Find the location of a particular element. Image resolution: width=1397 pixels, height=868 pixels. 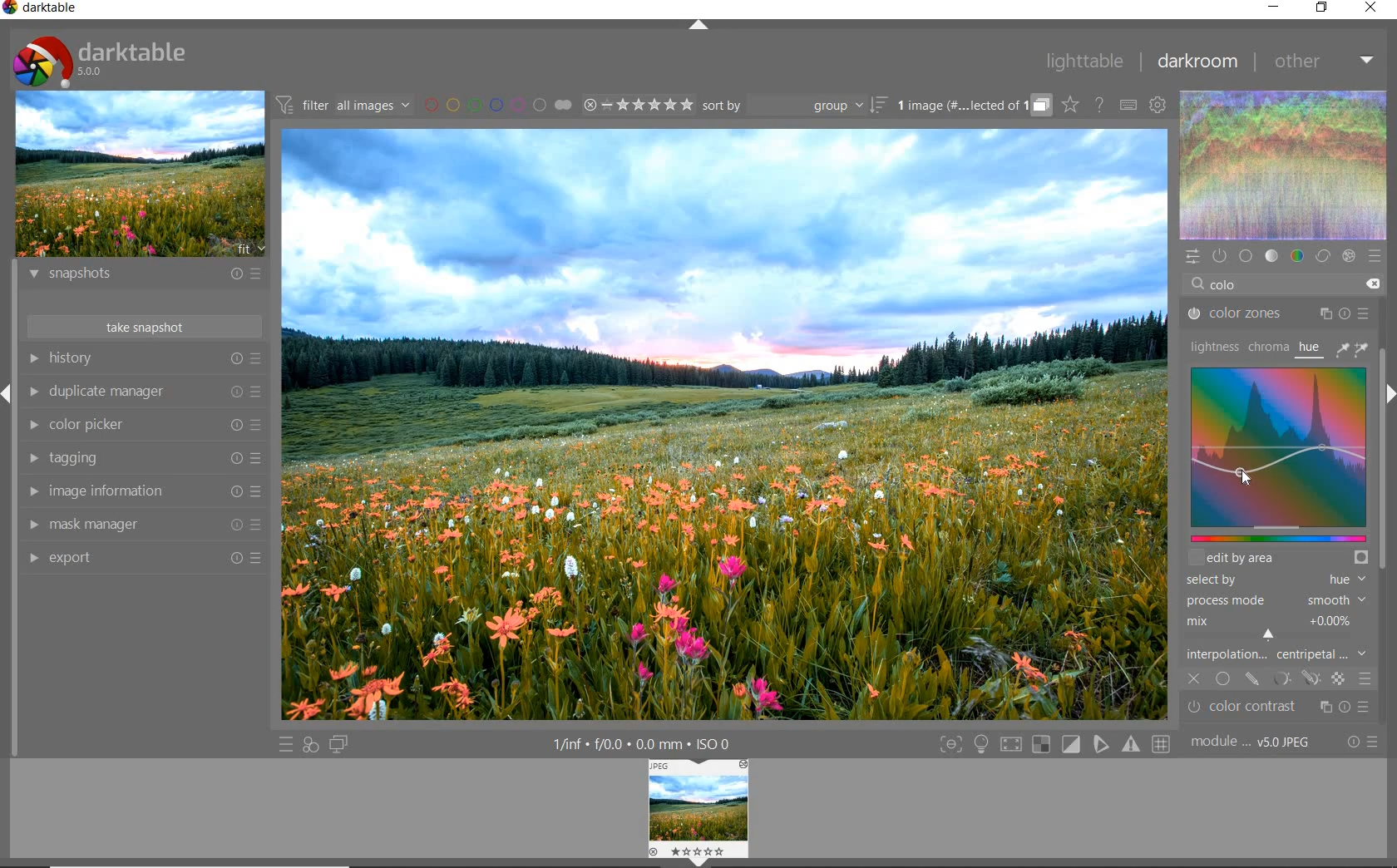

quick access panel is located at coordinates (1194, 257).